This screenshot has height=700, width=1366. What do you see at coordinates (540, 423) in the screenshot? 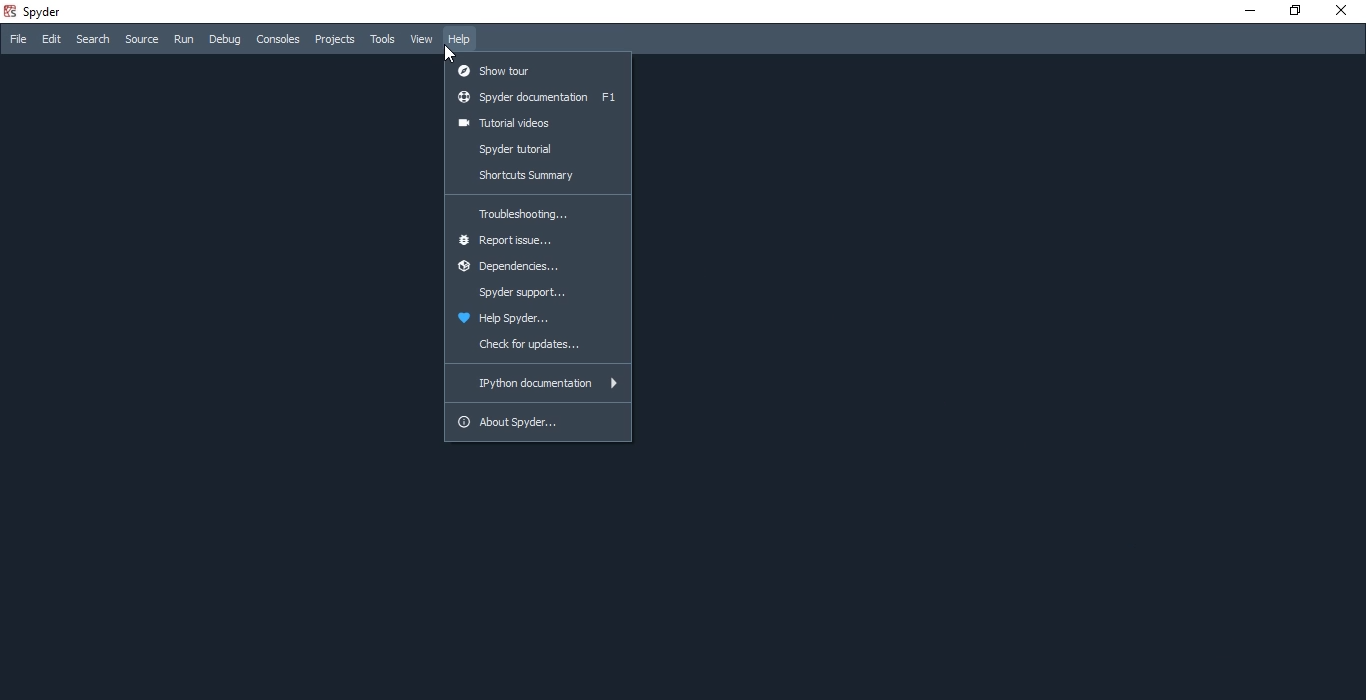
I see `about spyder` at bounding box center [540, 423].